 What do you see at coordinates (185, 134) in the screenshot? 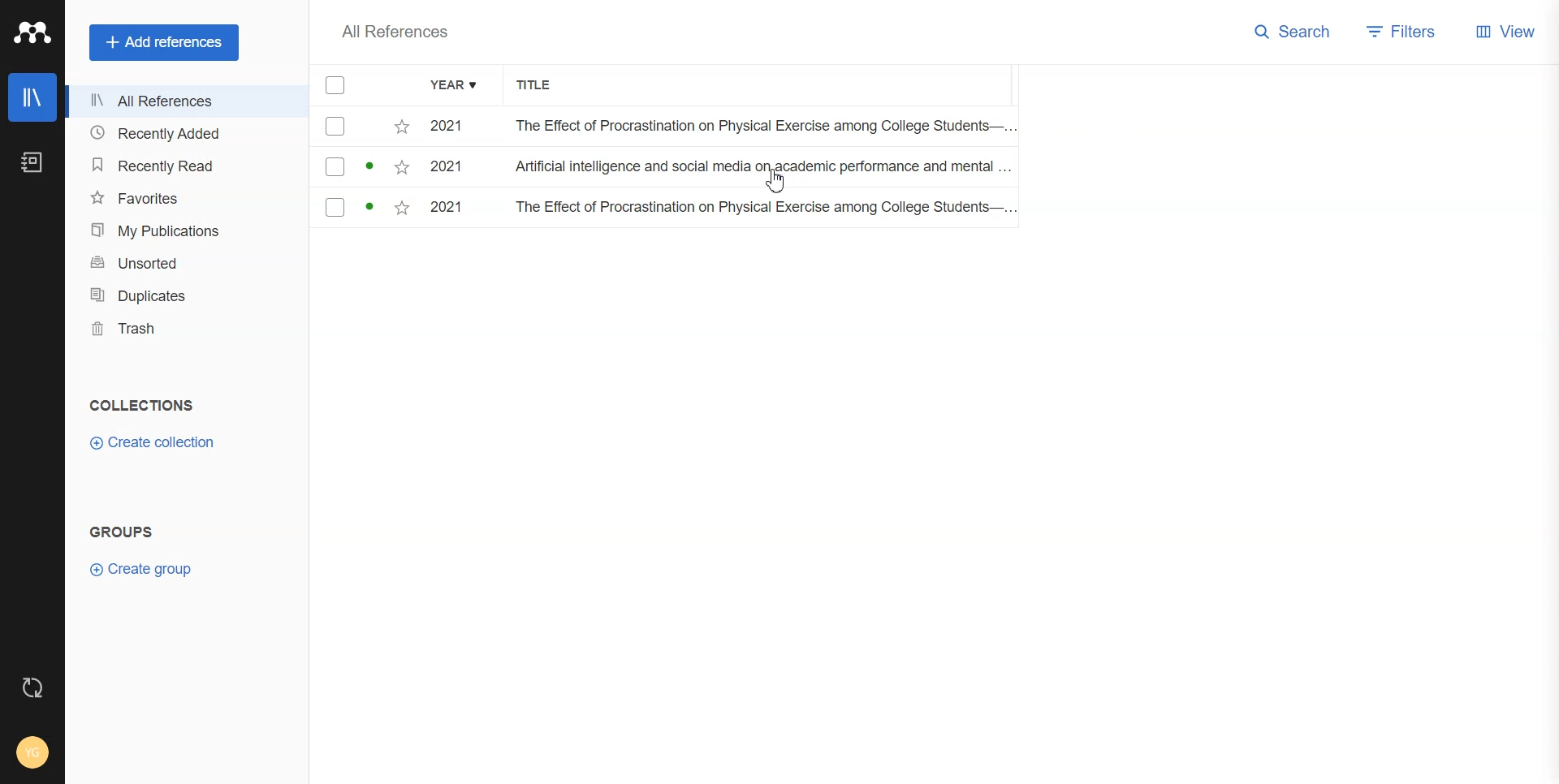
I see `Recently added` at bounding box center [185, 134].